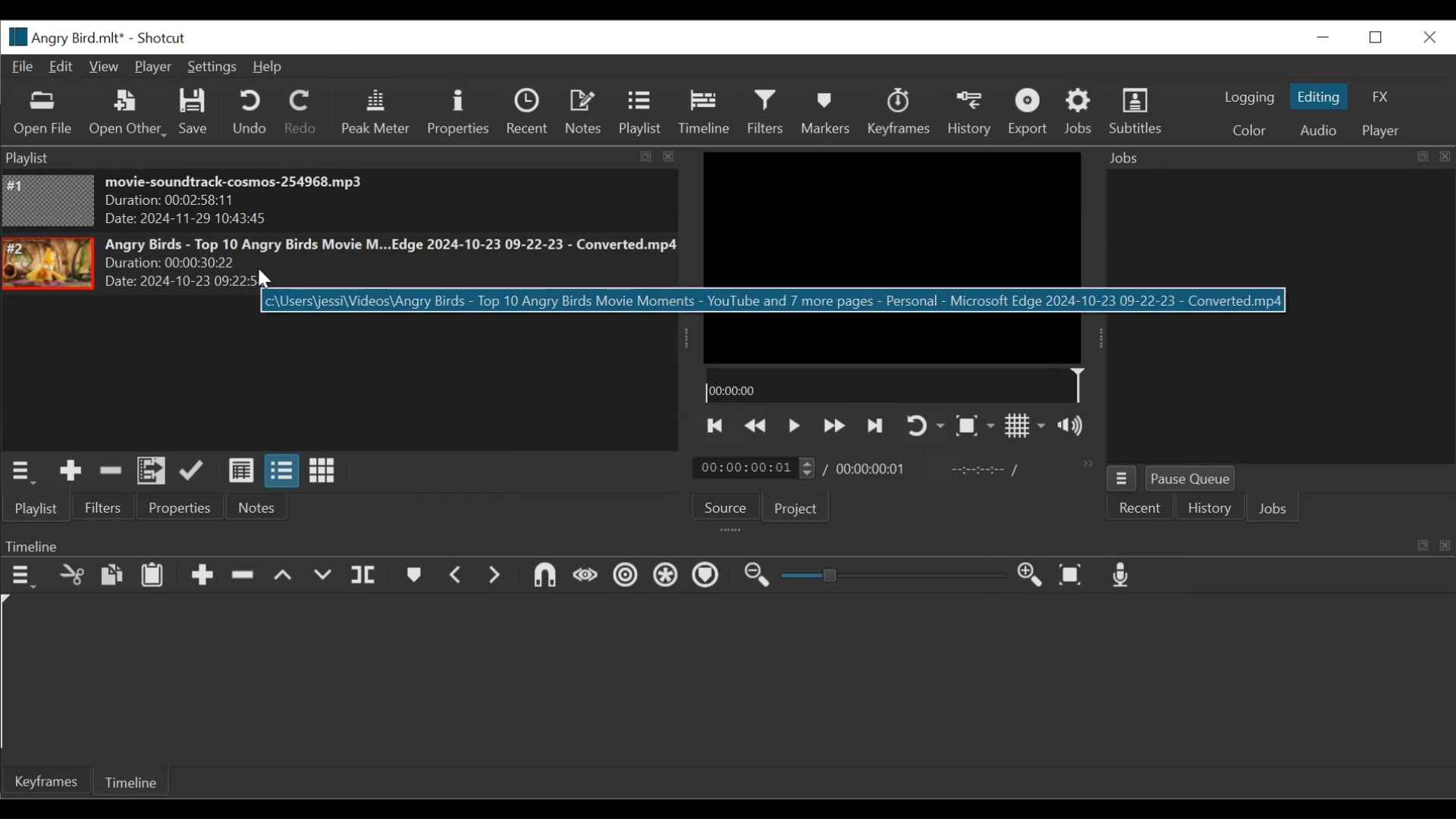  What do you see at coordinates (71, 471) in the screenshot?
I see `Add the source to the playlist` at bounding box center [71, 471].